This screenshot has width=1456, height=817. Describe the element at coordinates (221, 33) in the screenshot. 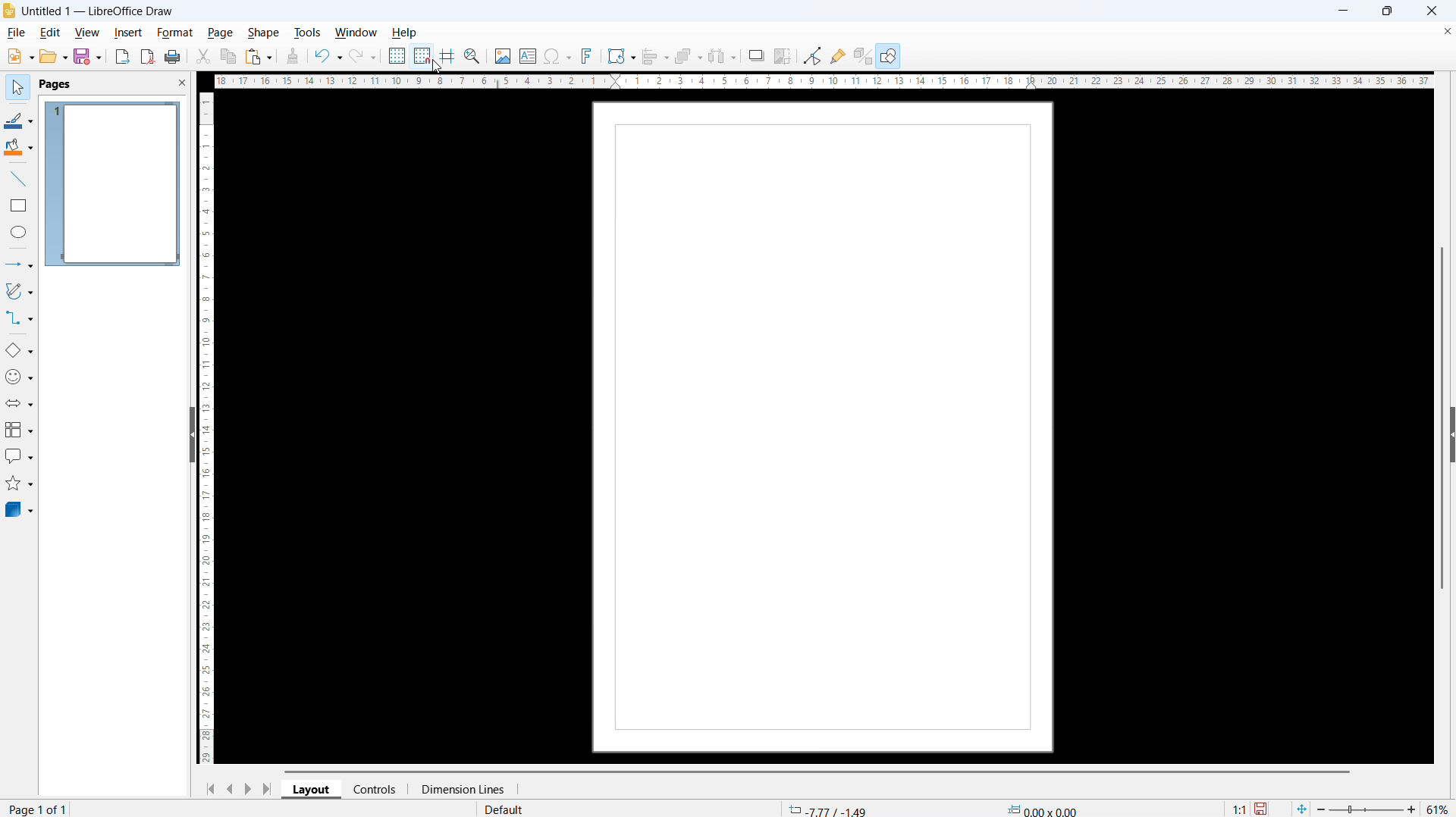

I see `page ` at that location.